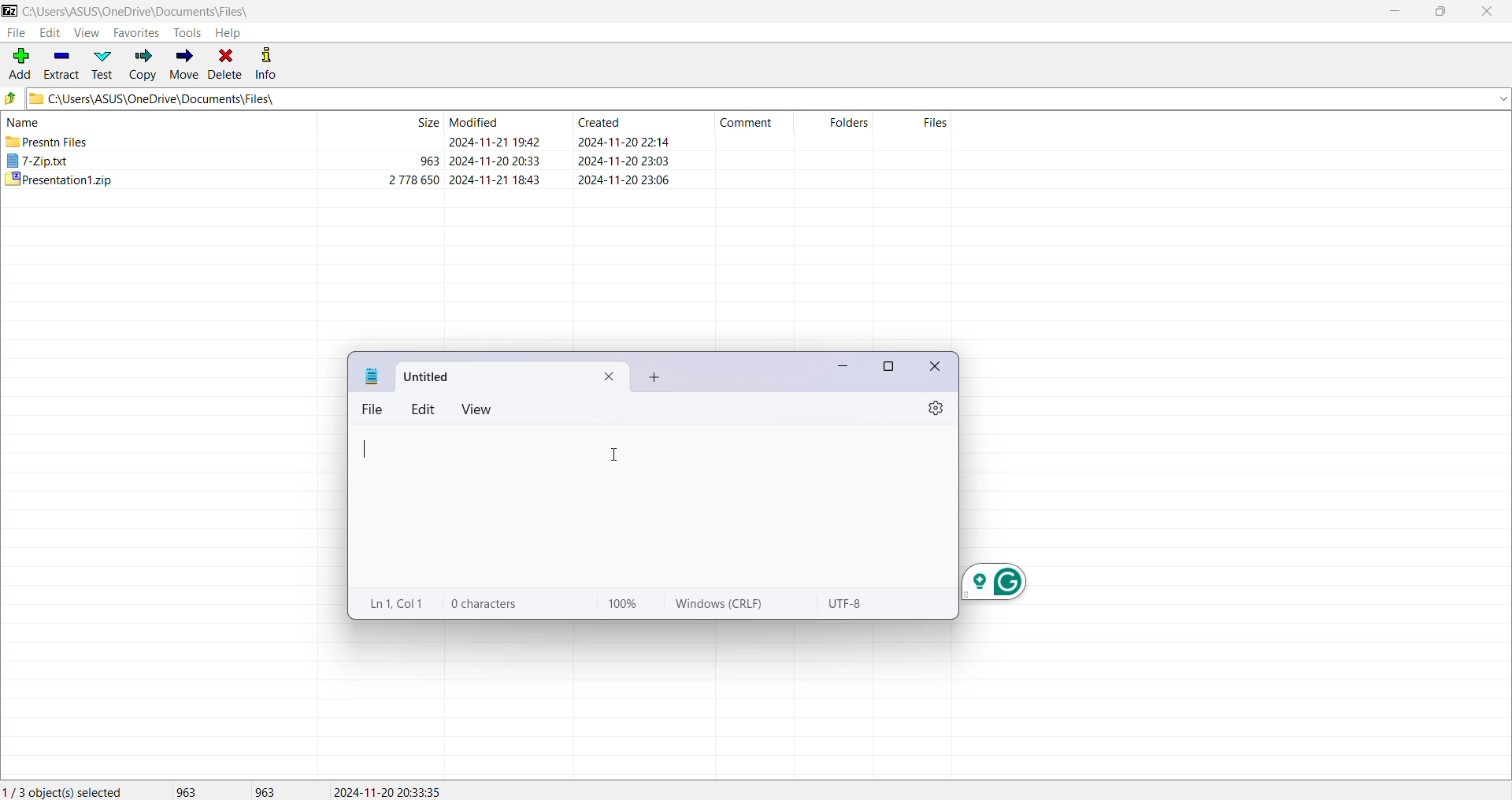 This screenshot has height=800, width=1512. I want to click on Minimize, so click(1396, 12).